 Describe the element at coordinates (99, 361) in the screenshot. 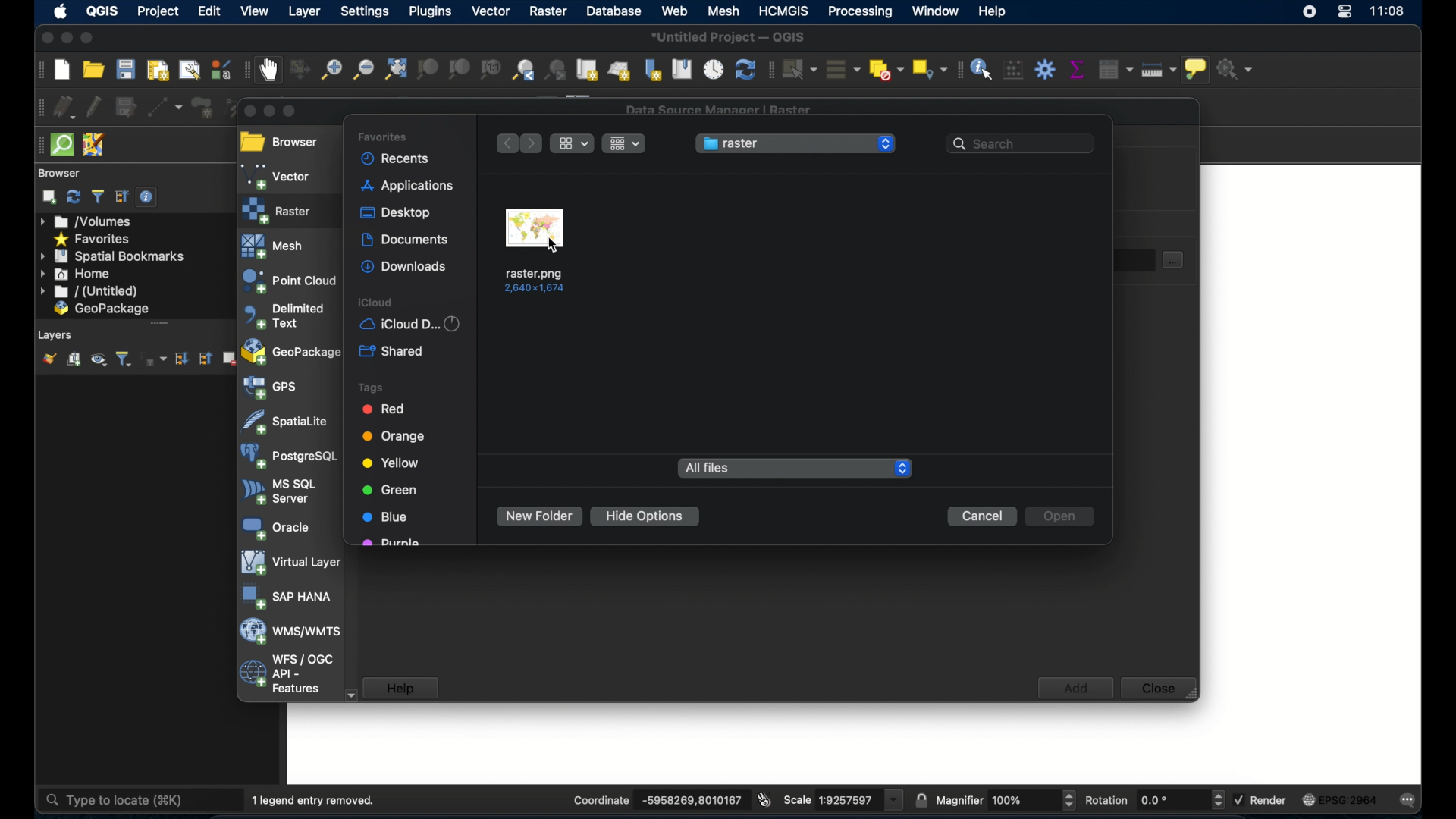

I see `manage map theme` at that location.